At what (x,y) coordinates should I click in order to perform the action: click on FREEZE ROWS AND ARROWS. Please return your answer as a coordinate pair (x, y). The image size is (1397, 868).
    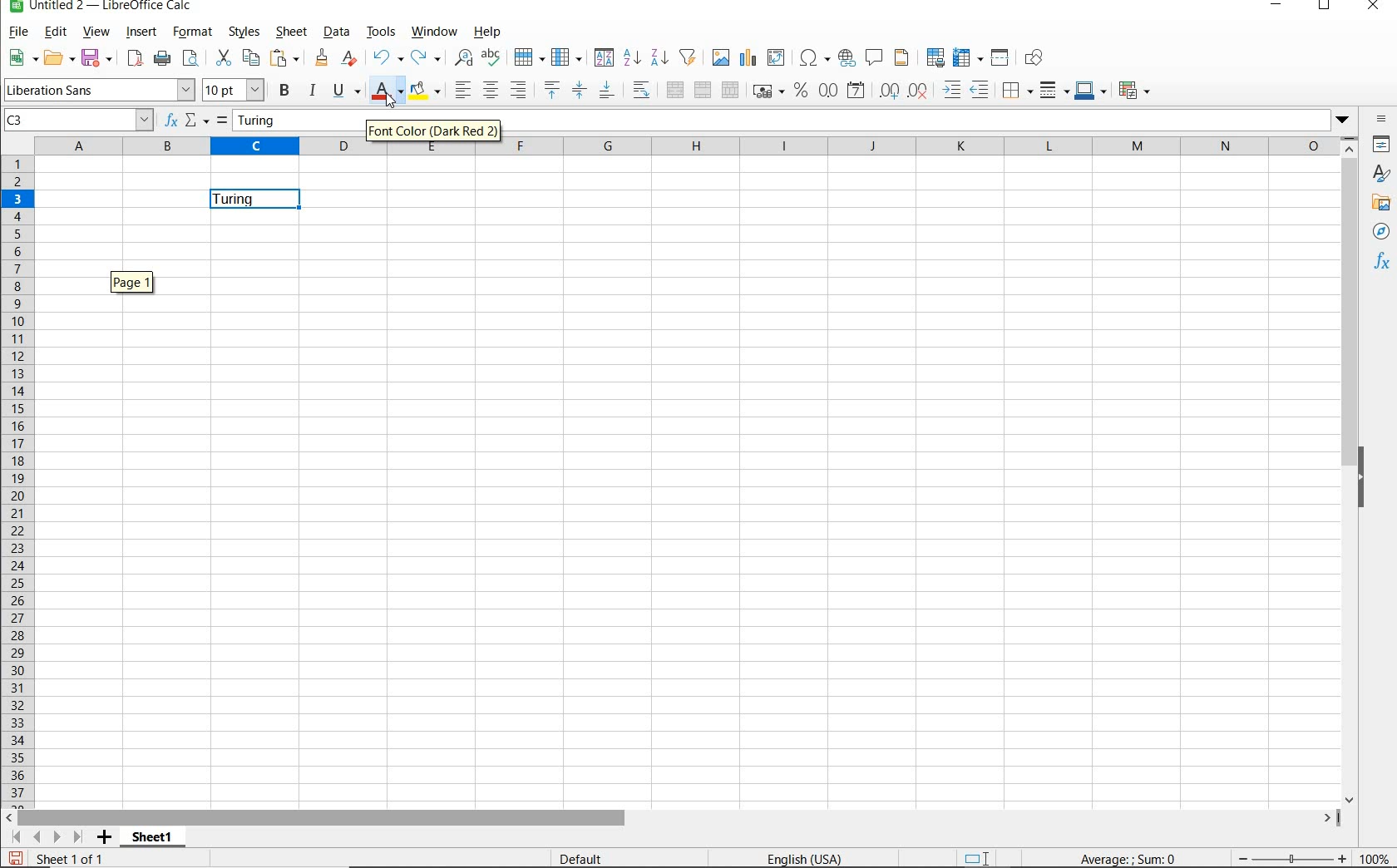
    Looking at the image, I should click on (969, 58).